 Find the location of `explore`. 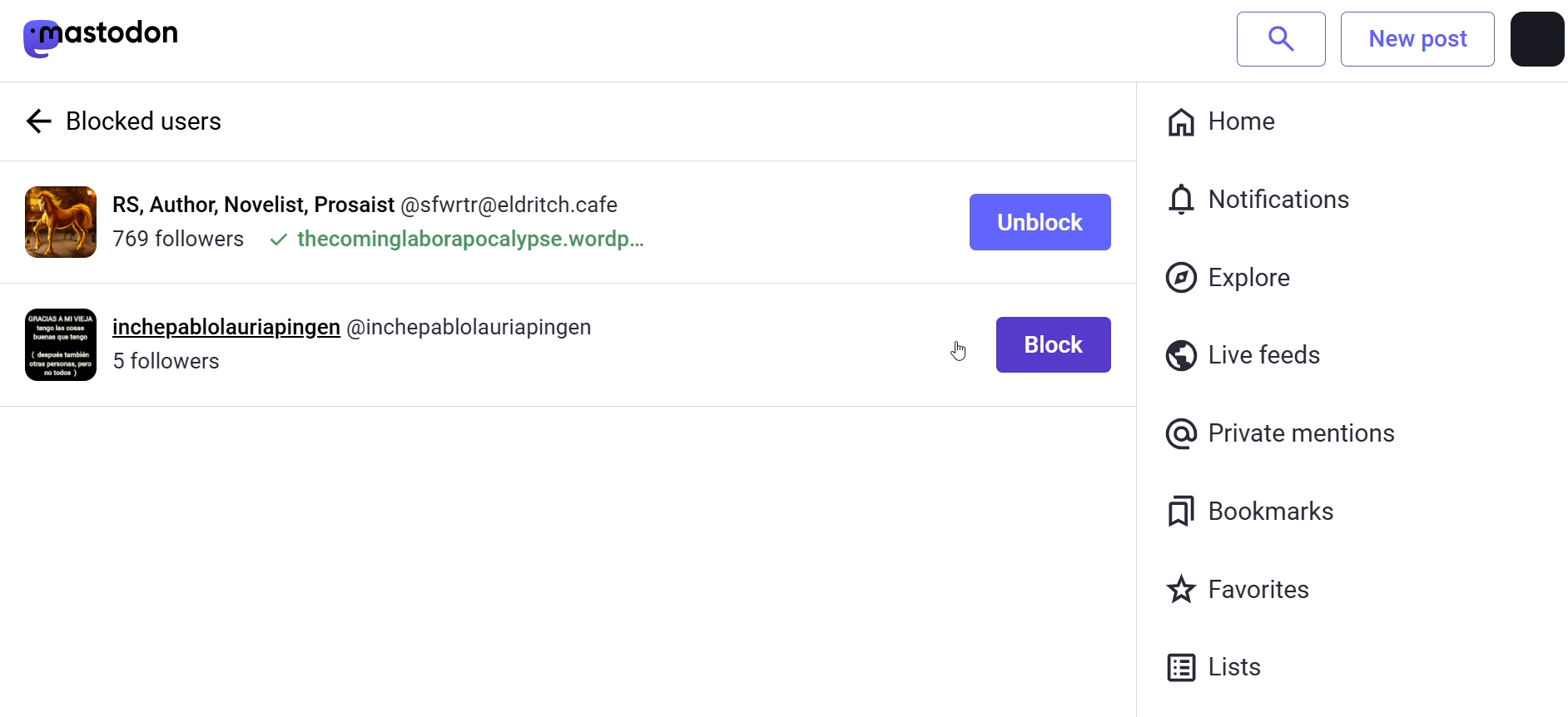

explore is located at coordinates (1232, 278).